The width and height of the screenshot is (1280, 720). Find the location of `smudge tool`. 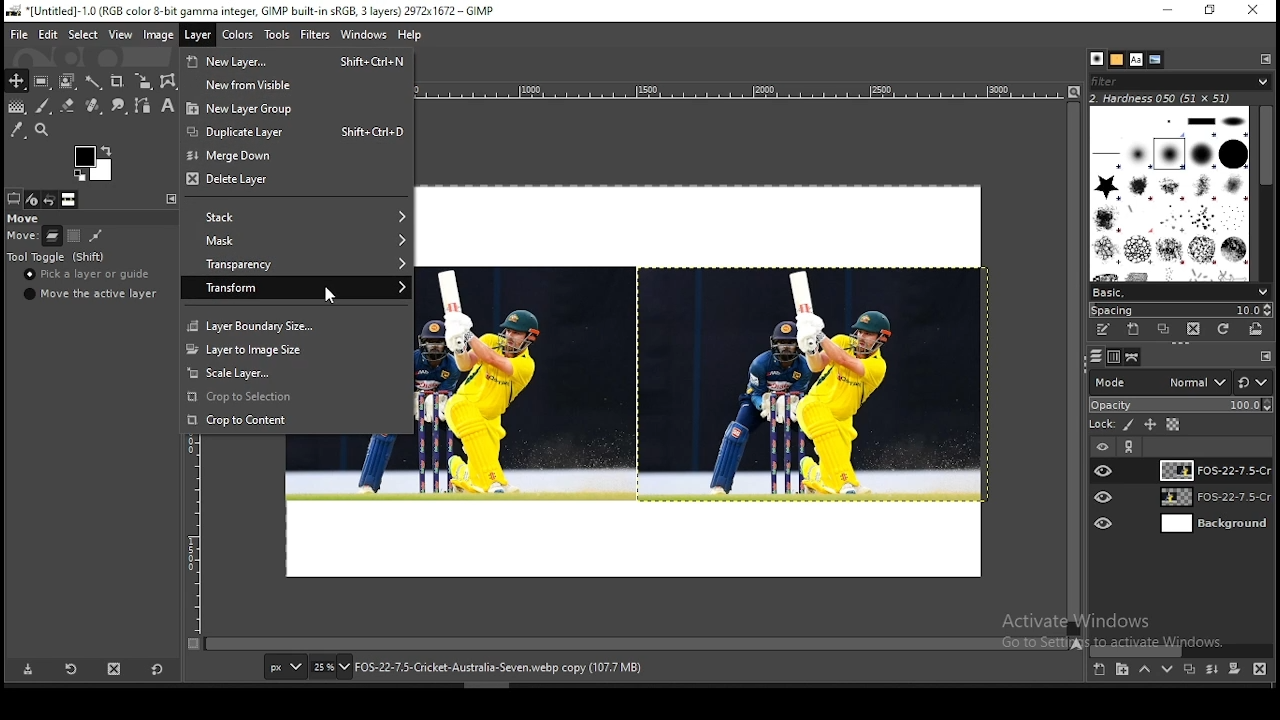

smudge tool is located at coordinates (116, 106).